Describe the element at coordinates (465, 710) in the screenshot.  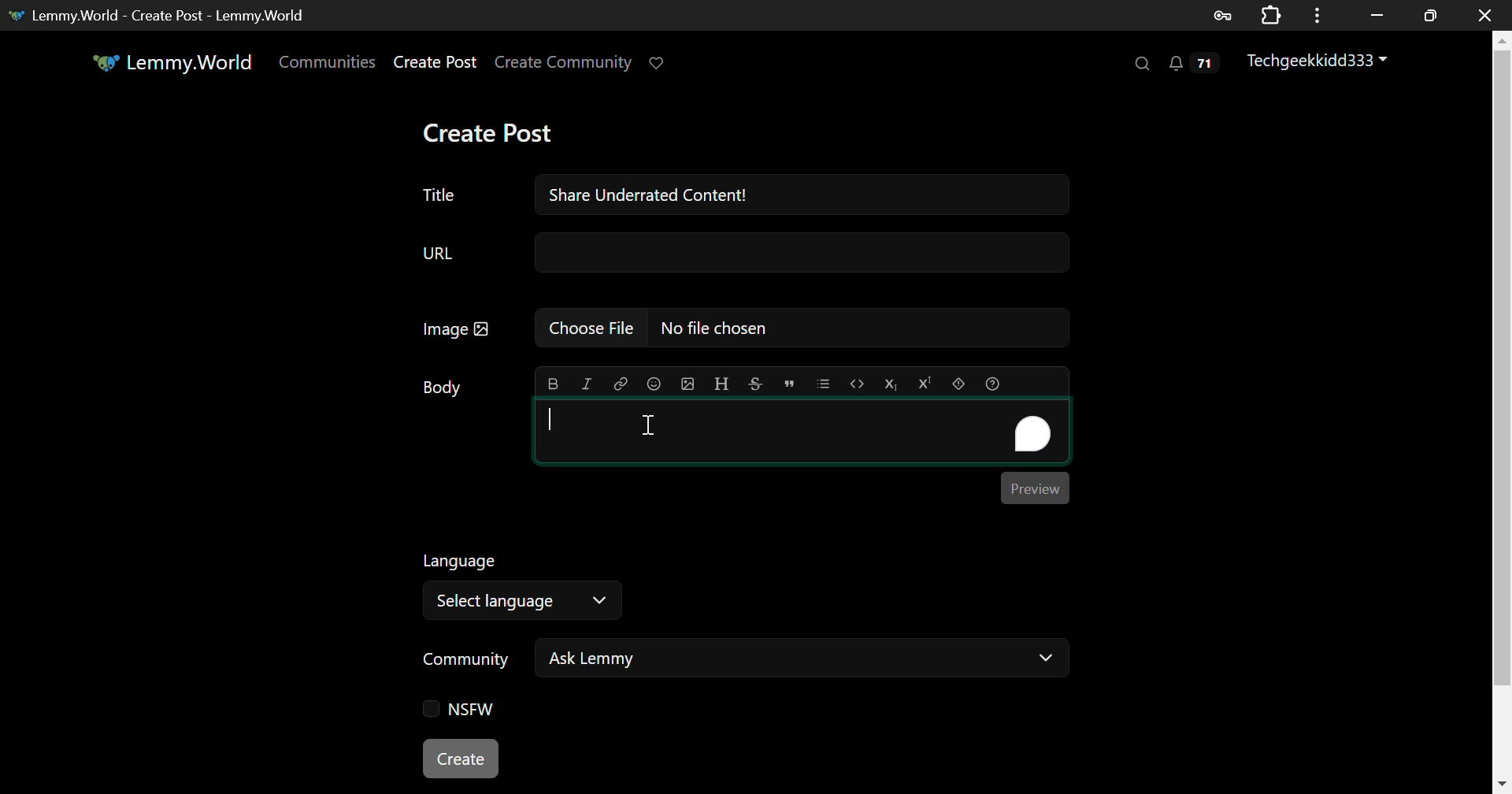
I see `NSFW Checkbox` at that location.